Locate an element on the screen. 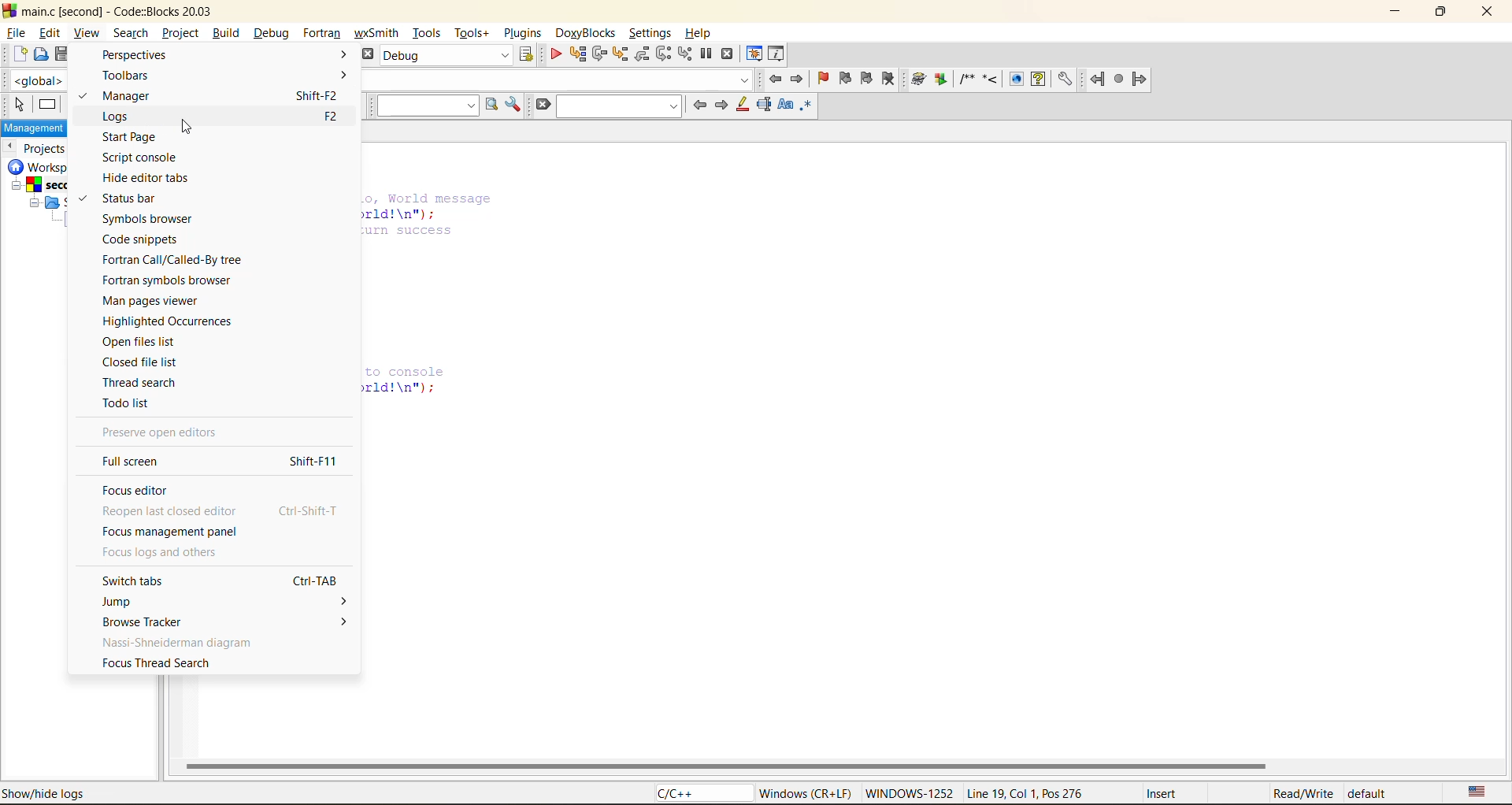  step out is located at coordinates (641, 55).